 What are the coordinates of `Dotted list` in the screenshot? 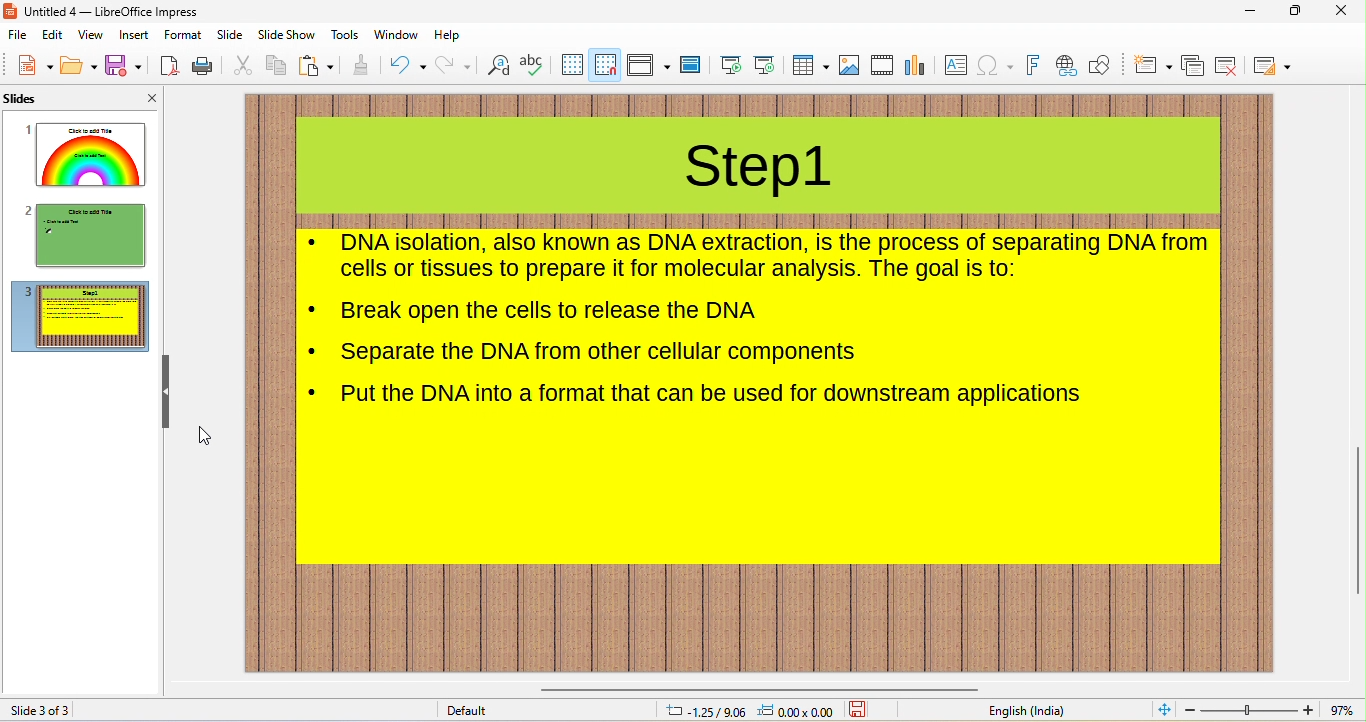 It's located at (314, 309).